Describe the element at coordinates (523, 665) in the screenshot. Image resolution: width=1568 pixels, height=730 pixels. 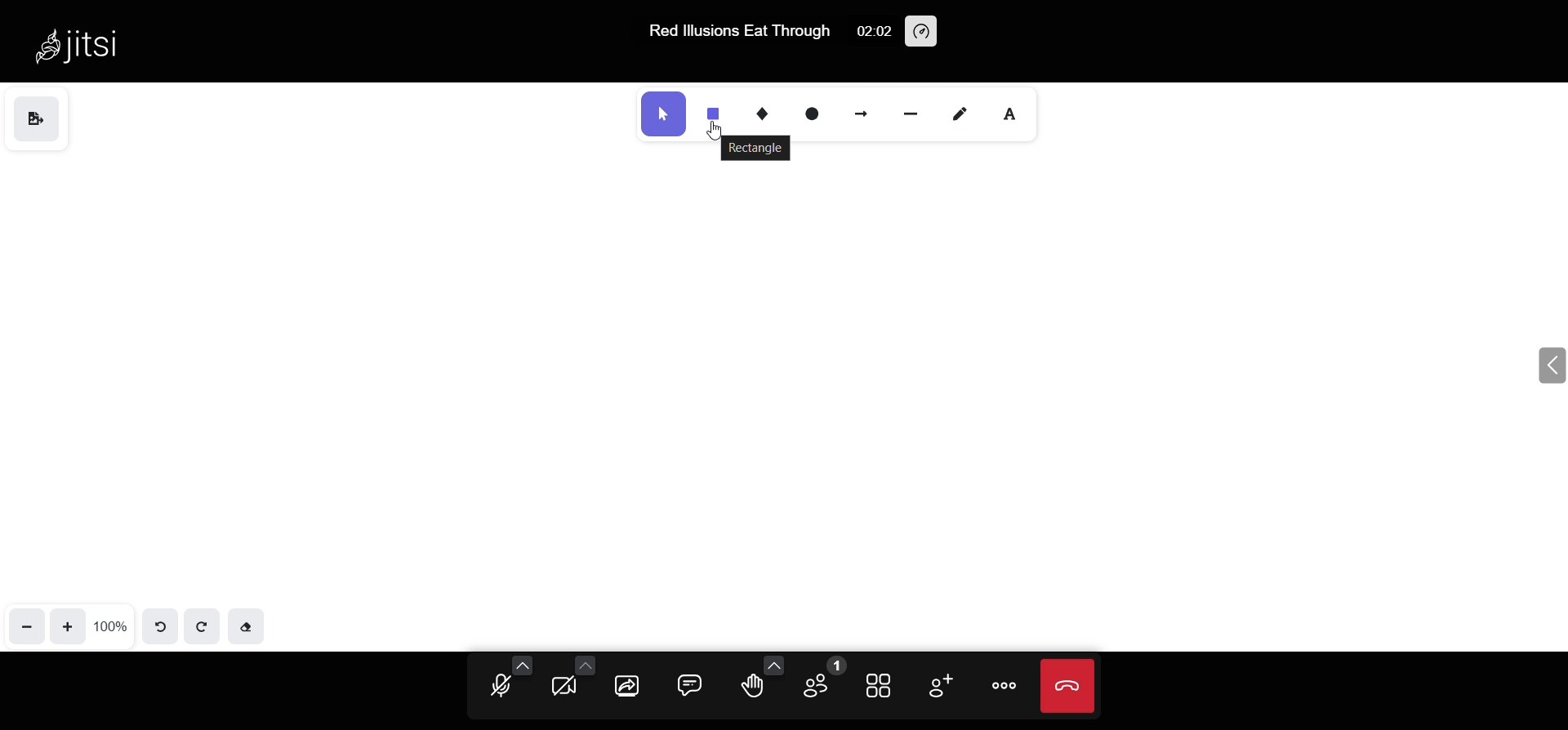
I see `more audio options` at that location.